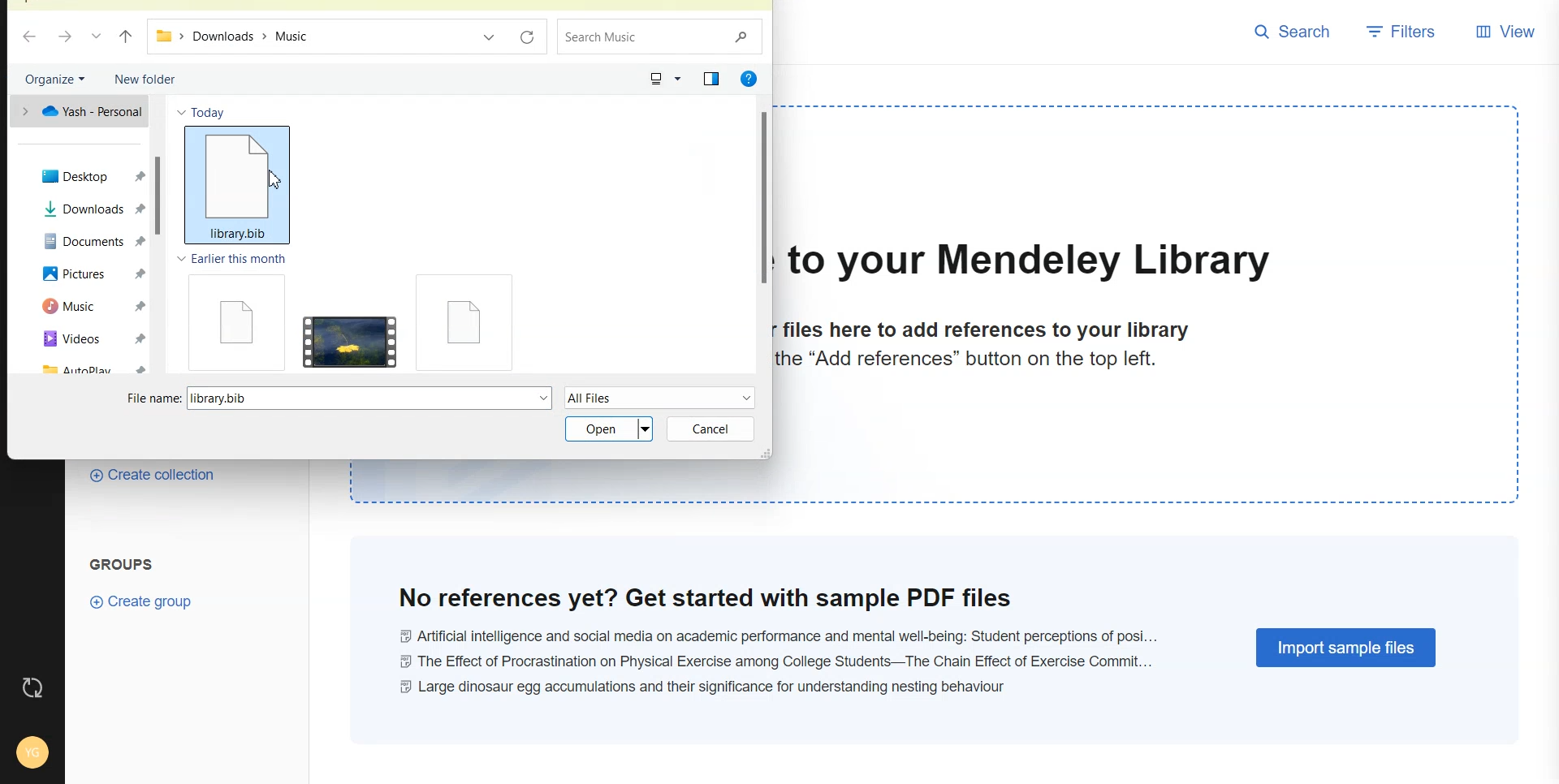 Image resolution: width=1559 pixels, height=784 pixels. What do you see at coordinates (765, 236) in the screenshot?
I see `Vertical scroll bar` at bounding box center [765, 236].